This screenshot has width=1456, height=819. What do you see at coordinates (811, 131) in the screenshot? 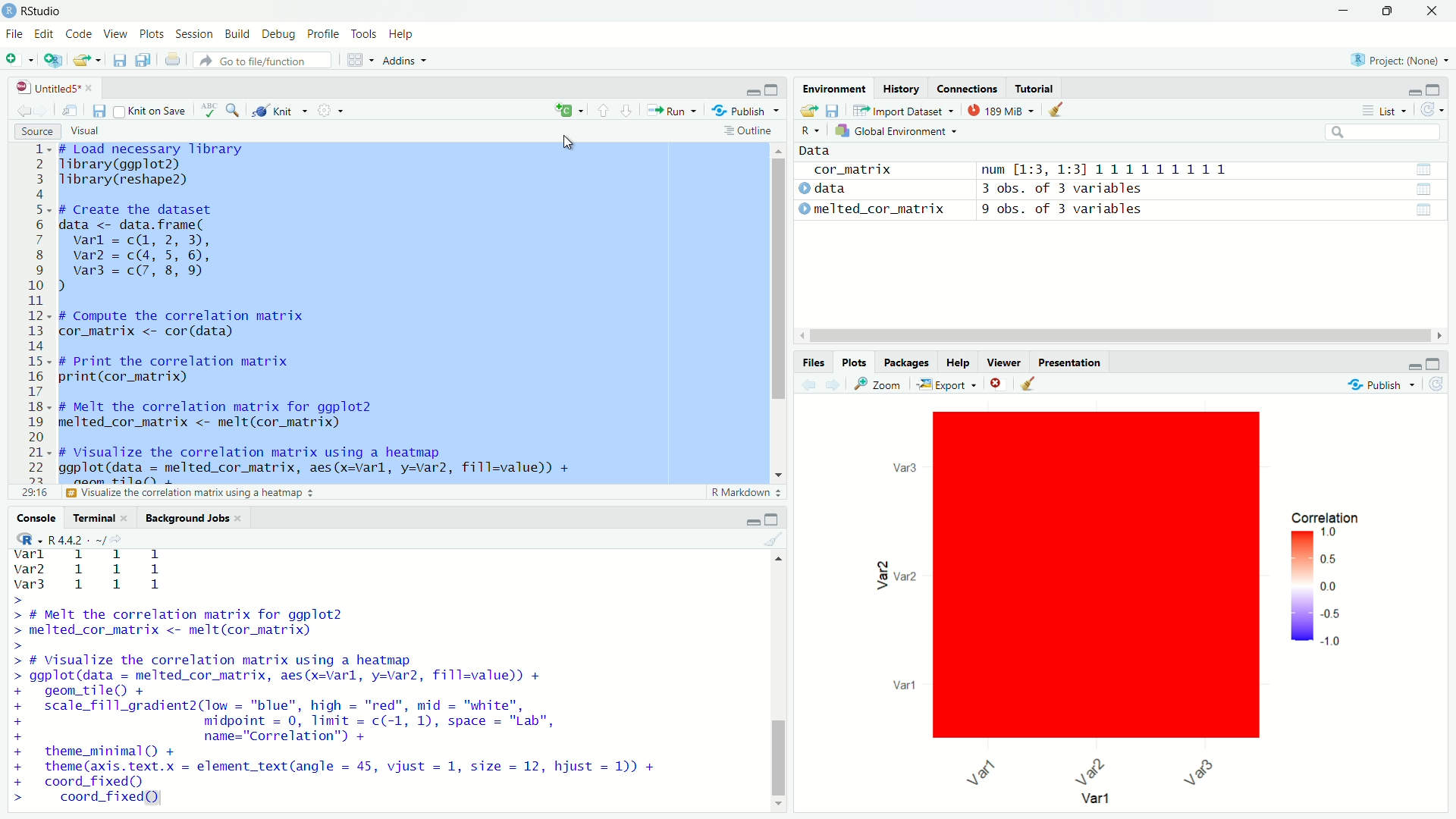
I see `R language` at bounding box center [811, 131].